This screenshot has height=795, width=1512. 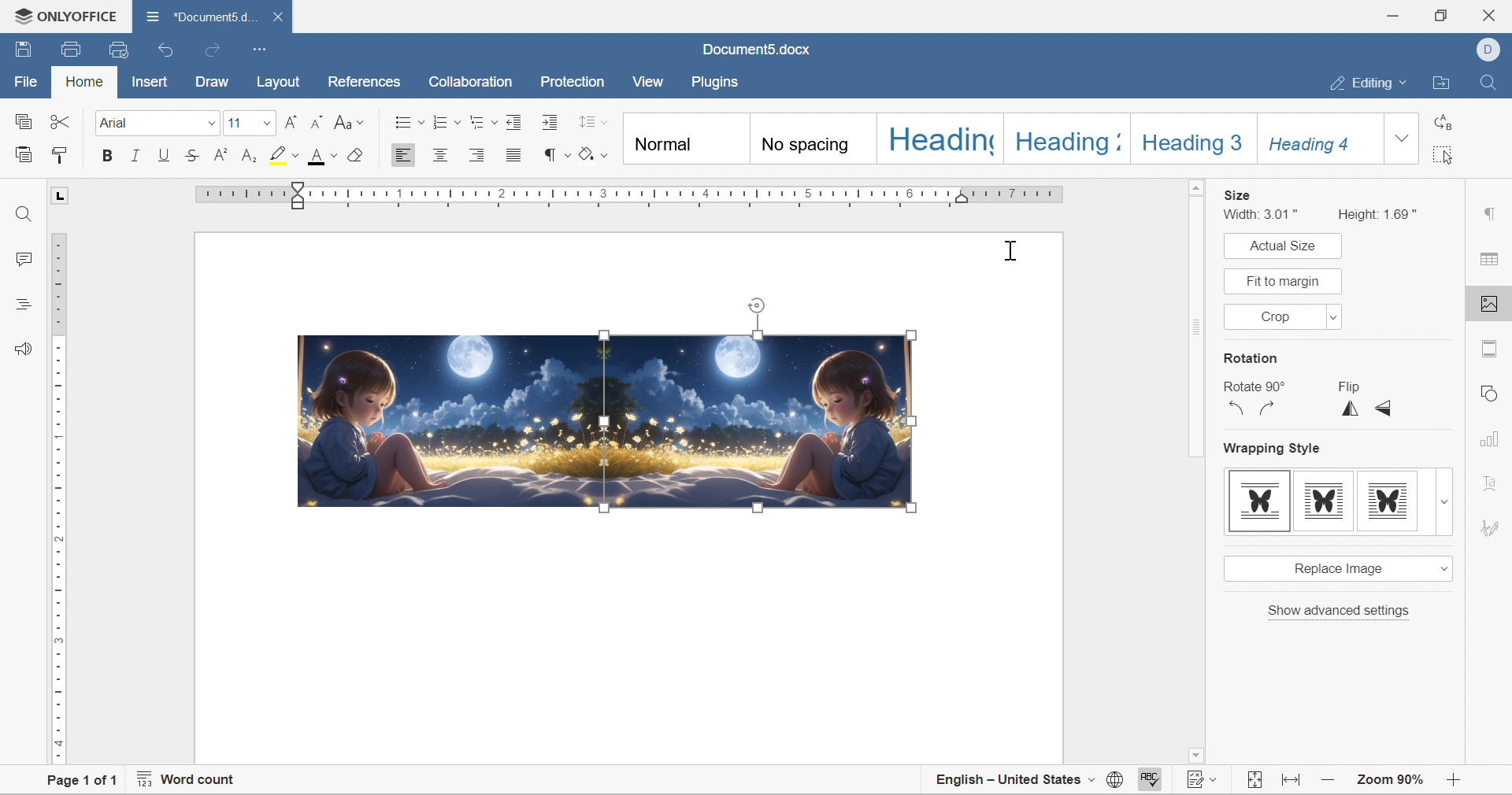 What do you see at coordinates (515, 155) in the screenshot?
I see `justified` at bounding box center [515, 155].